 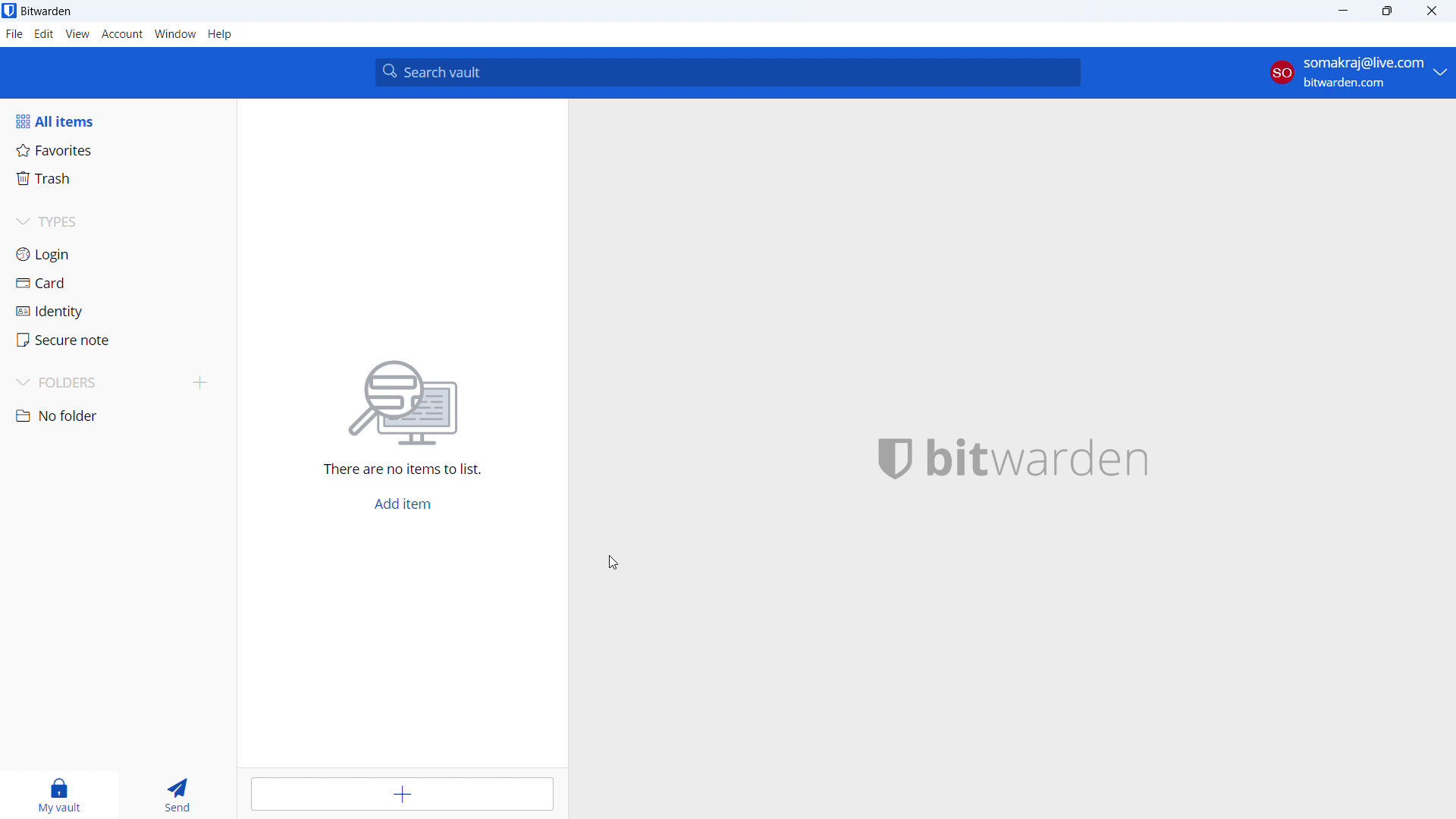 What do you see at coordinates (47, 11) in the screenshot?
I see `title` at bounding box center [47, 11].